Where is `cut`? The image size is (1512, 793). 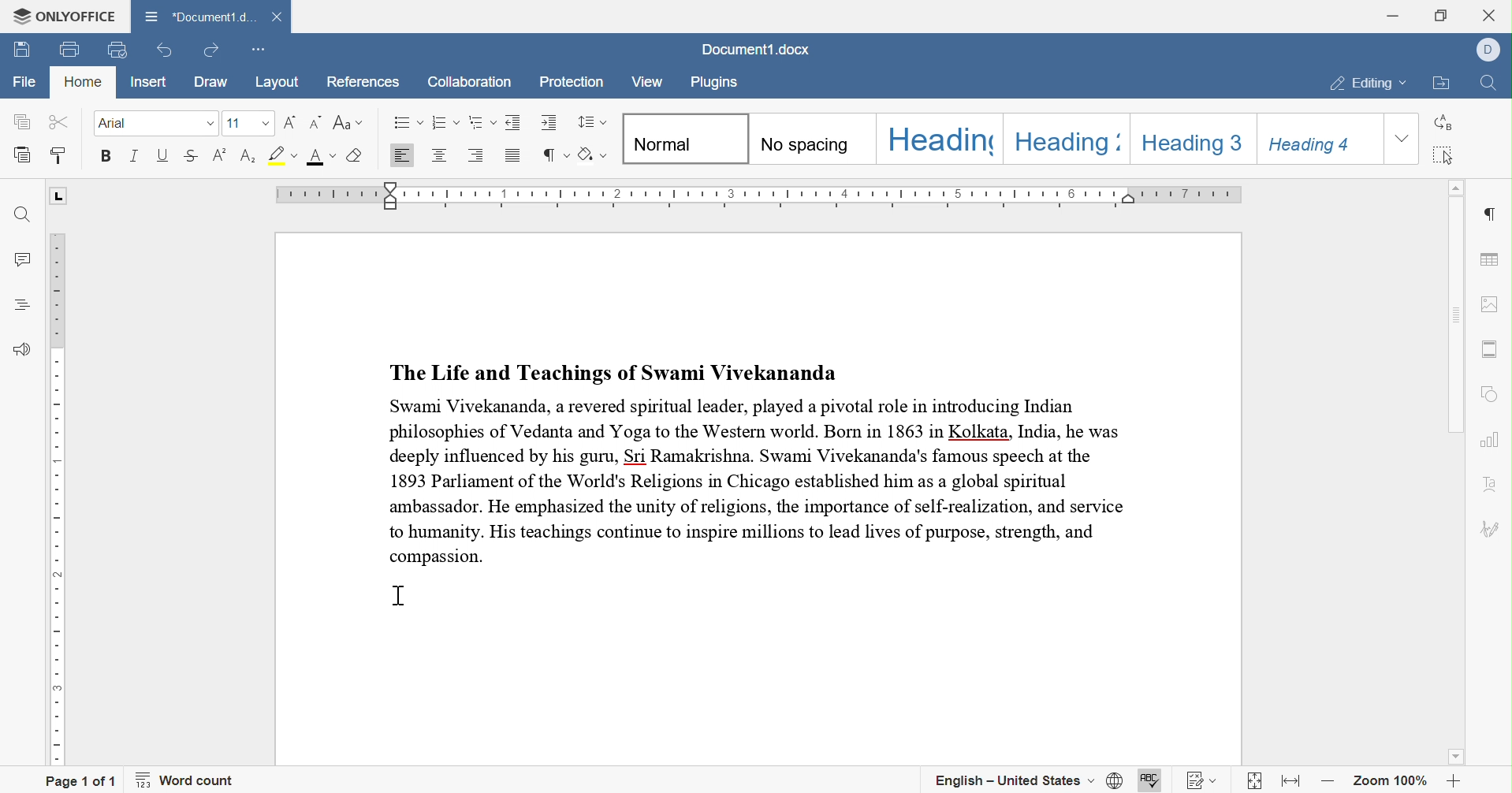
cut is located at coordinates (61, 121).